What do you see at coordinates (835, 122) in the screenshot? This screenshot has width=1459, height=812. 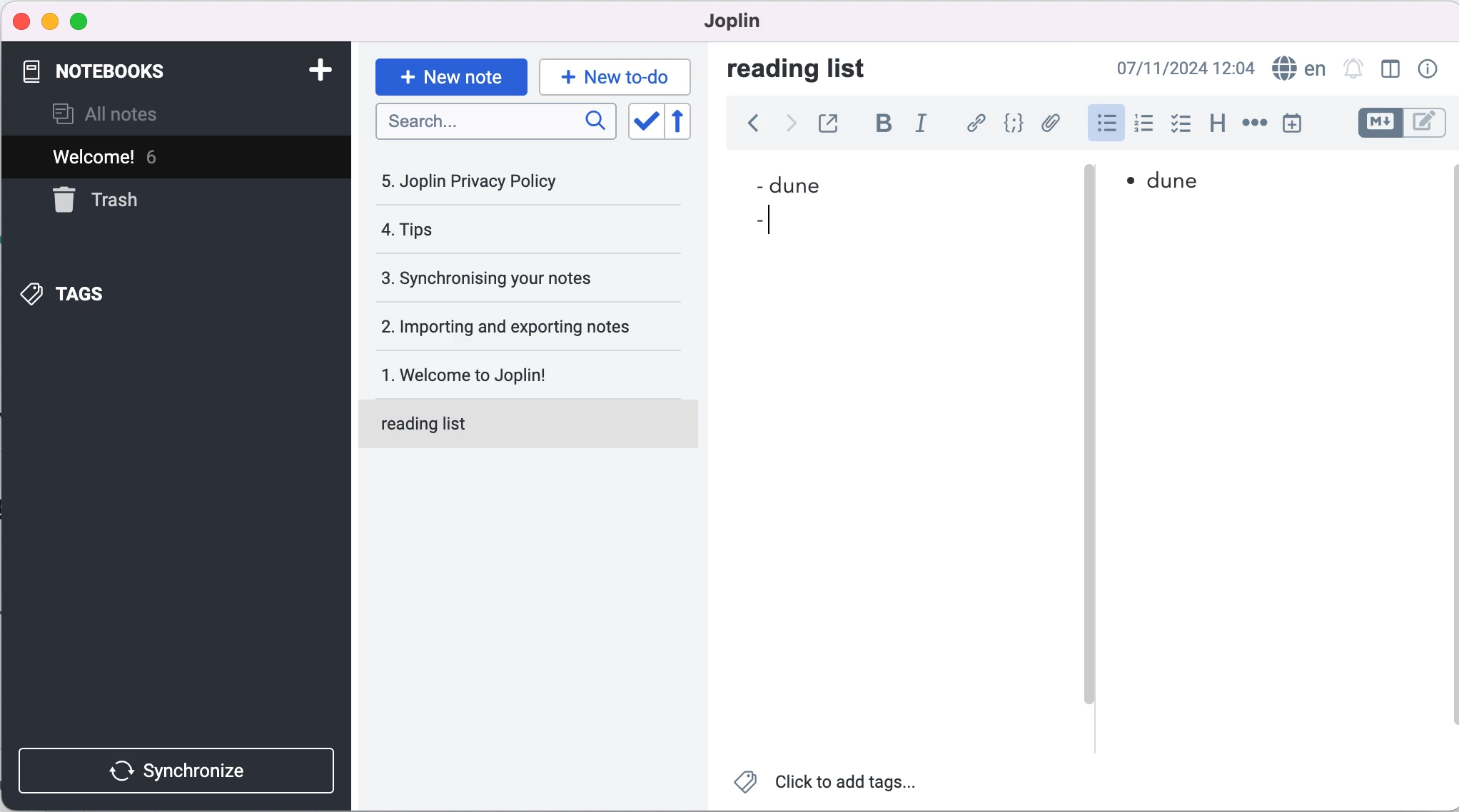 I see `toggle external editing` at bounding box center [835, 122].